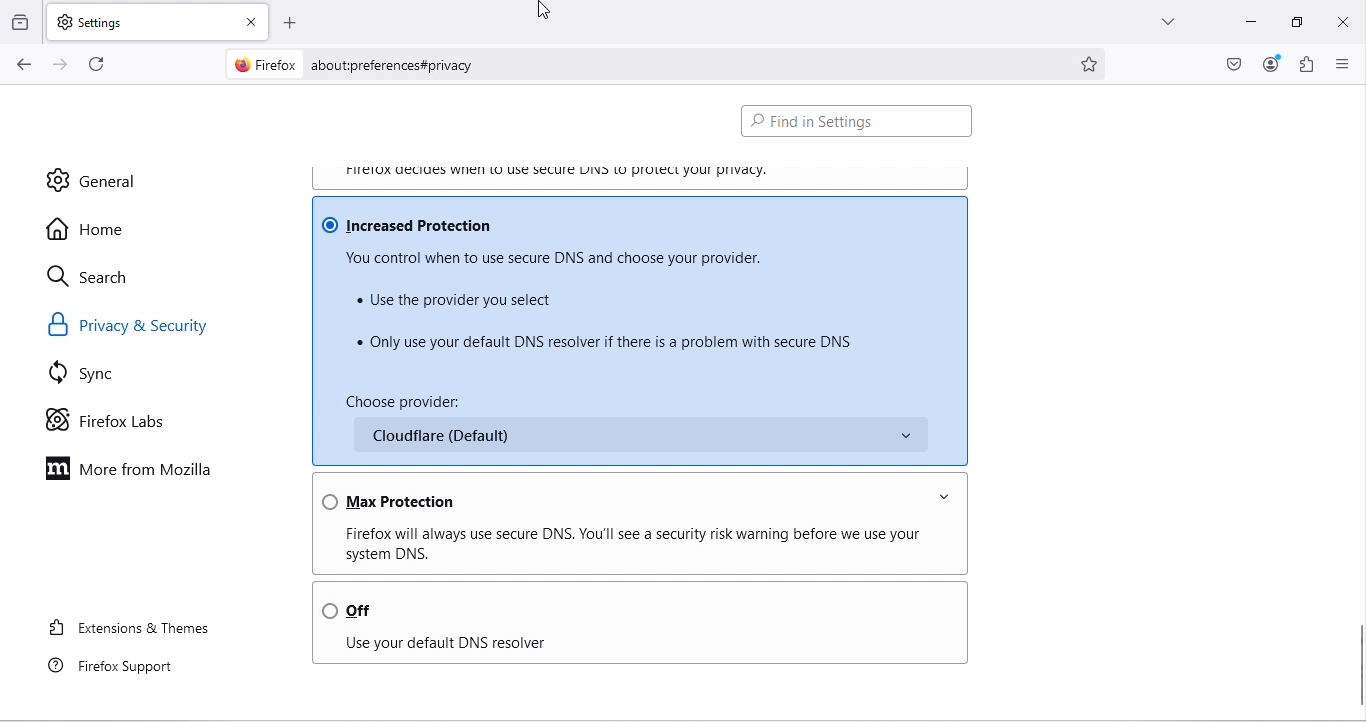  I want to click on Account, so click(1272, 65).